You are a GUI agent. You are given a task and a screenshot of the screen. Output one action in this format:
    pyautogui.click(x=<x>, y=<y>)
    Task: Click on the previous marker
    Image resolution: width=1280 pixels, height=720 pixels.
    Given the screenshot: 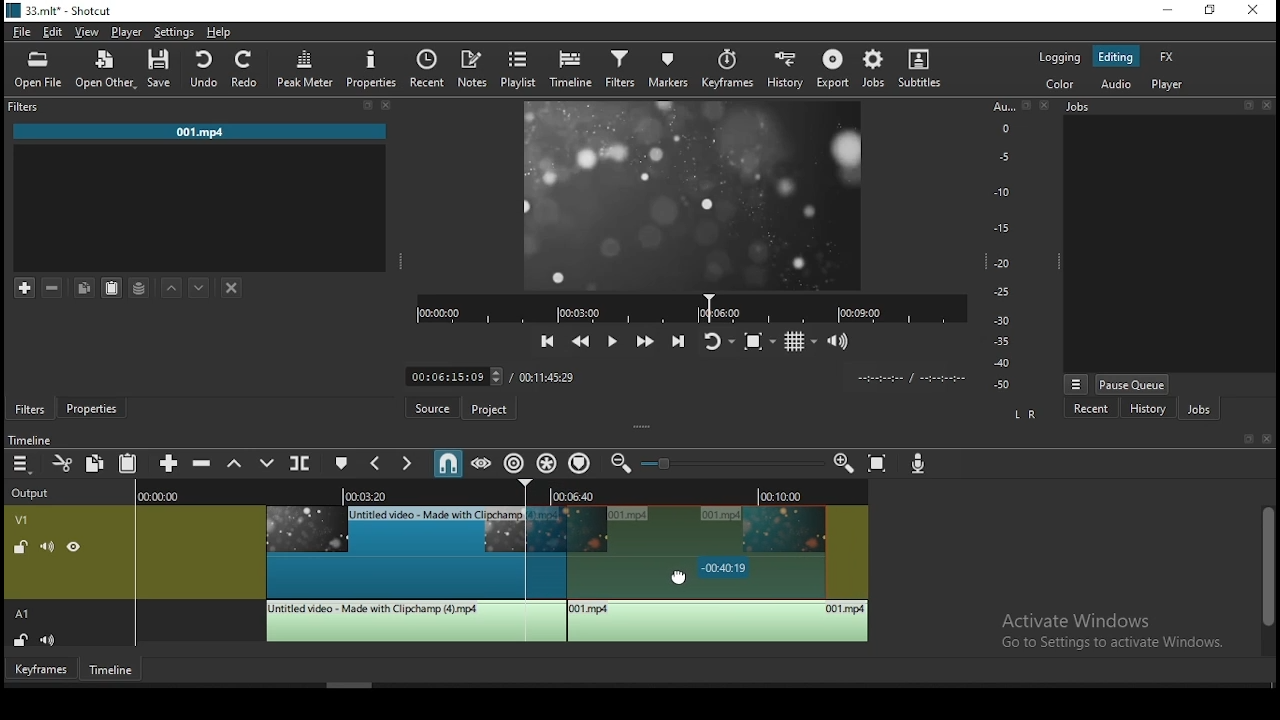 What is the action you would take?
    pyautogui.click(x=371, y=463)
    